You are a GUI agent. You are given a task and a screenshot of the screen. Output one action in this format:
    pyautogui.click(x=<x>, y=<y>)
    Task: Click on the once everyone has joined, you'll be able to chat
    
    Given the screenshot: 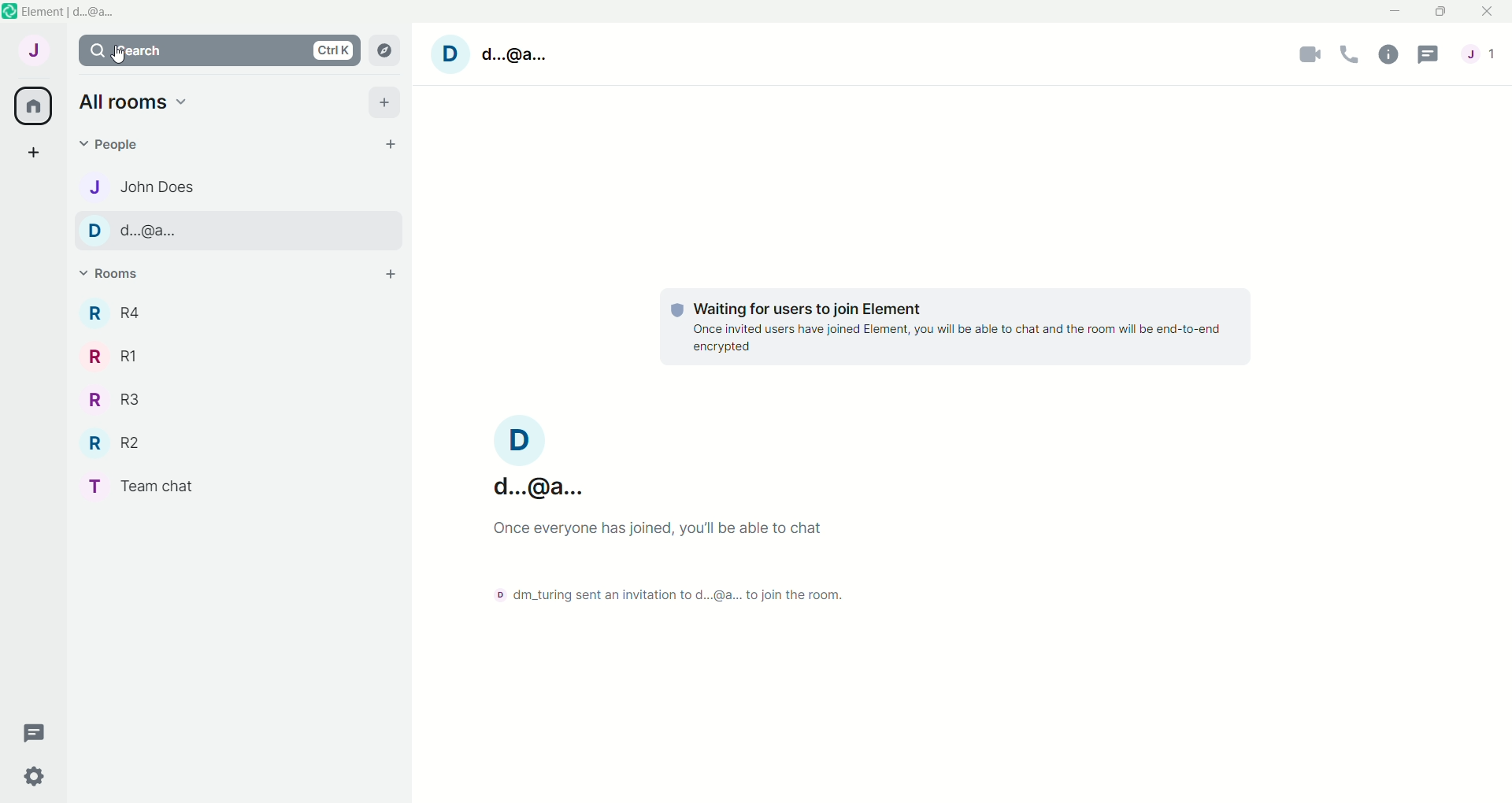 What is the action you would take?
    pyautogui.click(x=664, y=533)
    